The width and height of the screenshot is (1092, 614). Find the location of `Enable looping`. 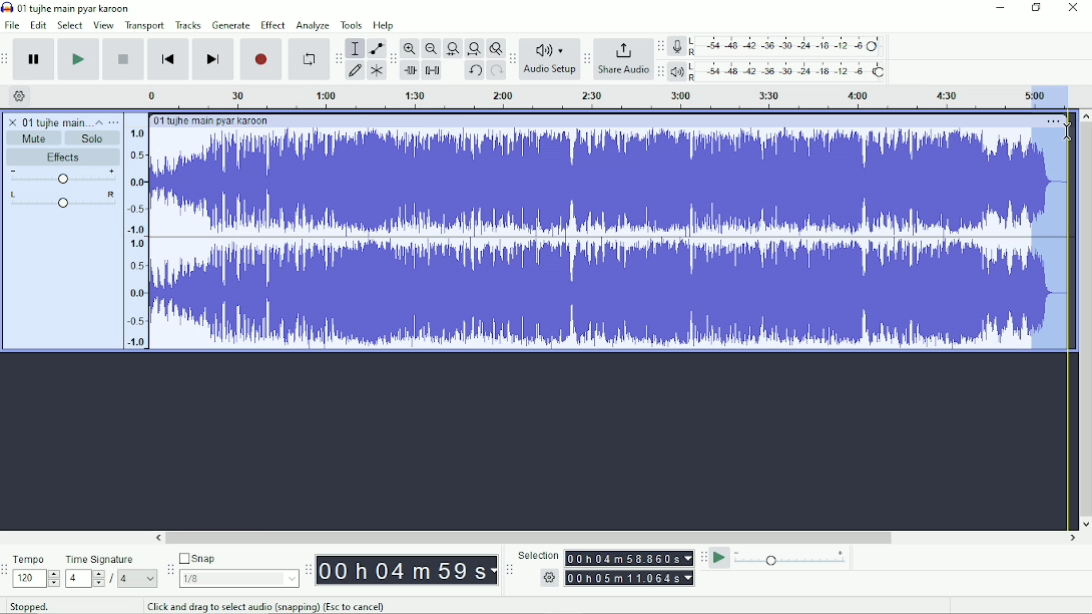

Enable looping is located at coordinates (309, 60).